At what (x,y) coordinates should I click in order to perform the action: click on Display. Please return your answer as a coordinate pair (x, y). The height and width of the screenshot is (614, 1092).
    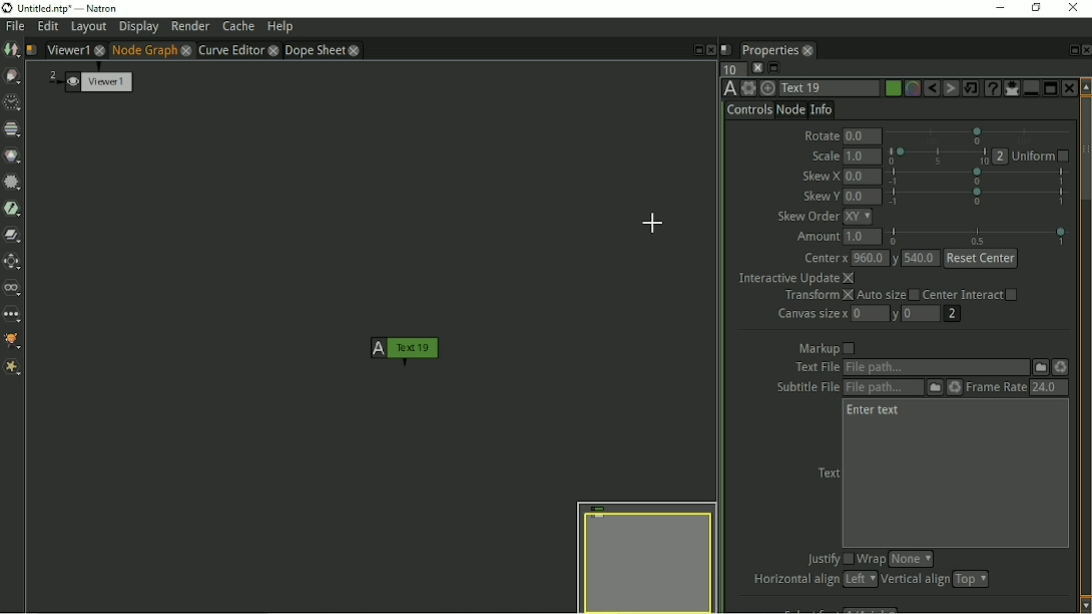
    Looking at the image, I should click on (139, 27).